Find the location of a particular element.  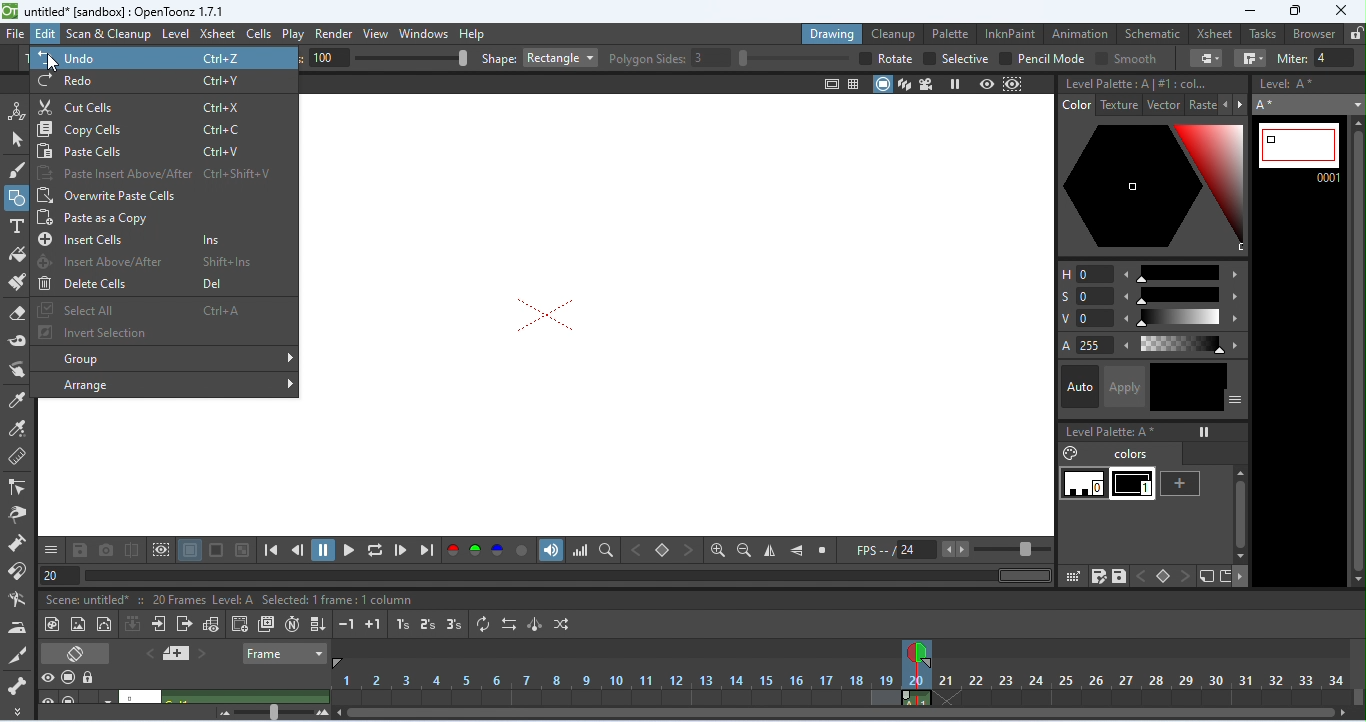

reset is located at coordinates (821, 550).